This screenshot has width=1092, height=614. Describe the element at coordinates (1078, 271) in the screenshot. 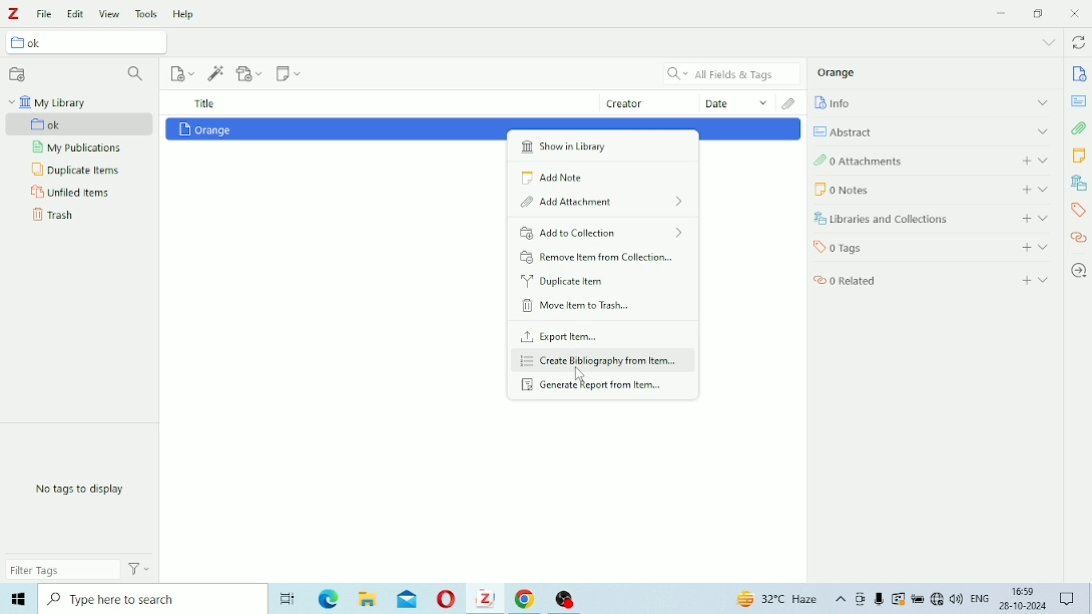

I see `Locate` at that location.